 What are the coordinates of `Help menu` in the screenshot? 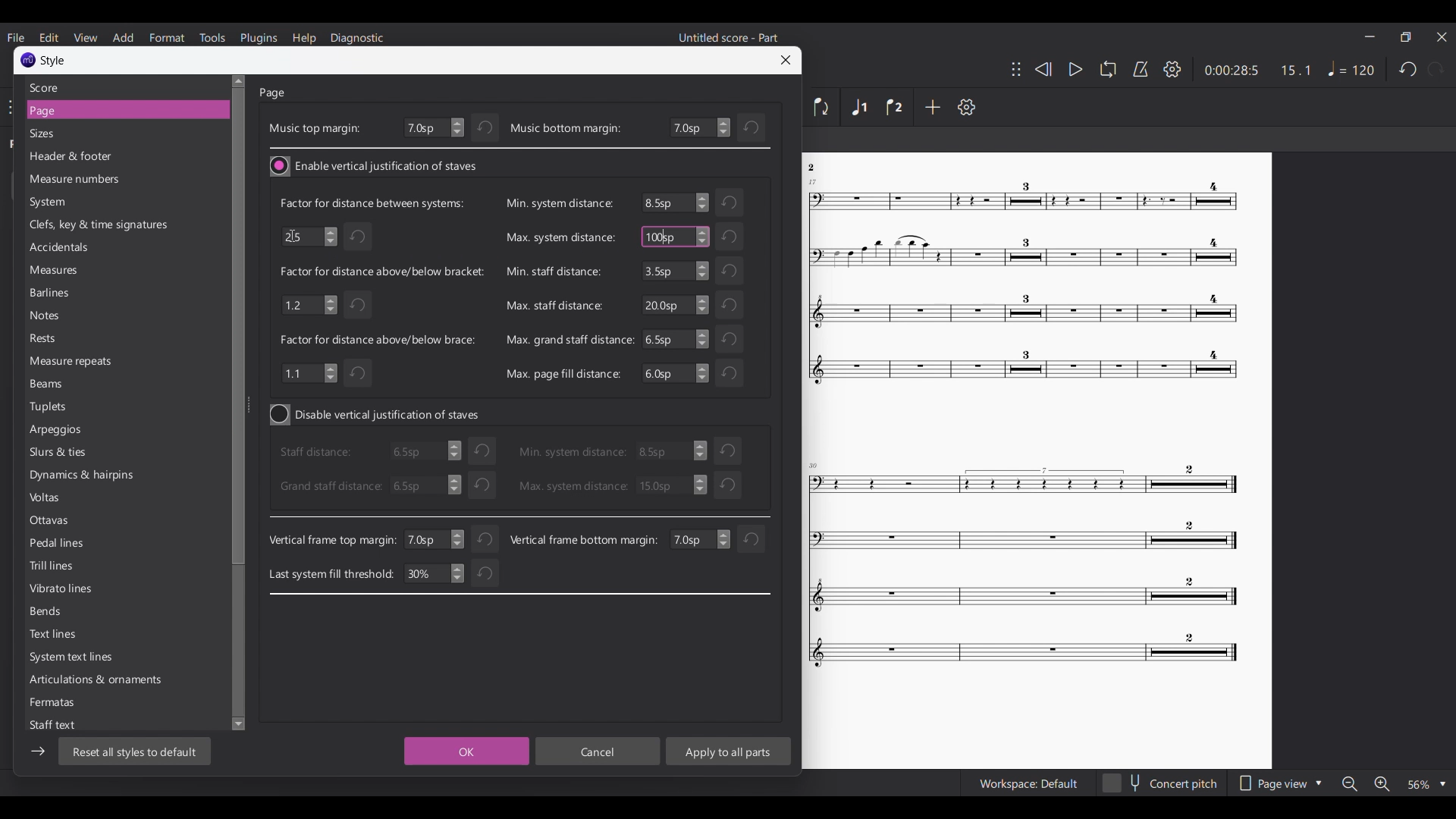 It's located at (303, 39).